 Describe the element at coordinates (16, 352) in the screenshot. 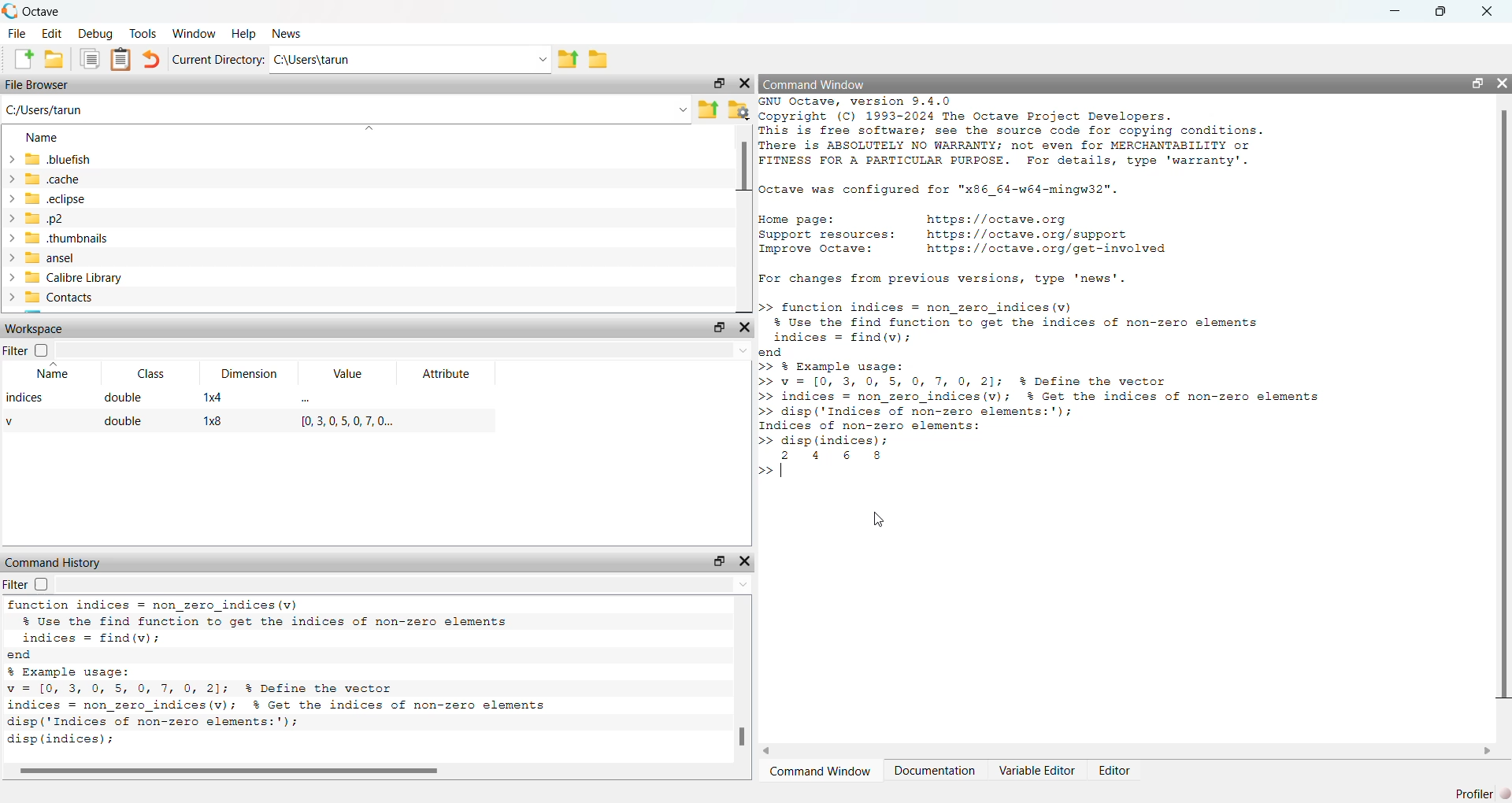

I see `Filter` at that location.